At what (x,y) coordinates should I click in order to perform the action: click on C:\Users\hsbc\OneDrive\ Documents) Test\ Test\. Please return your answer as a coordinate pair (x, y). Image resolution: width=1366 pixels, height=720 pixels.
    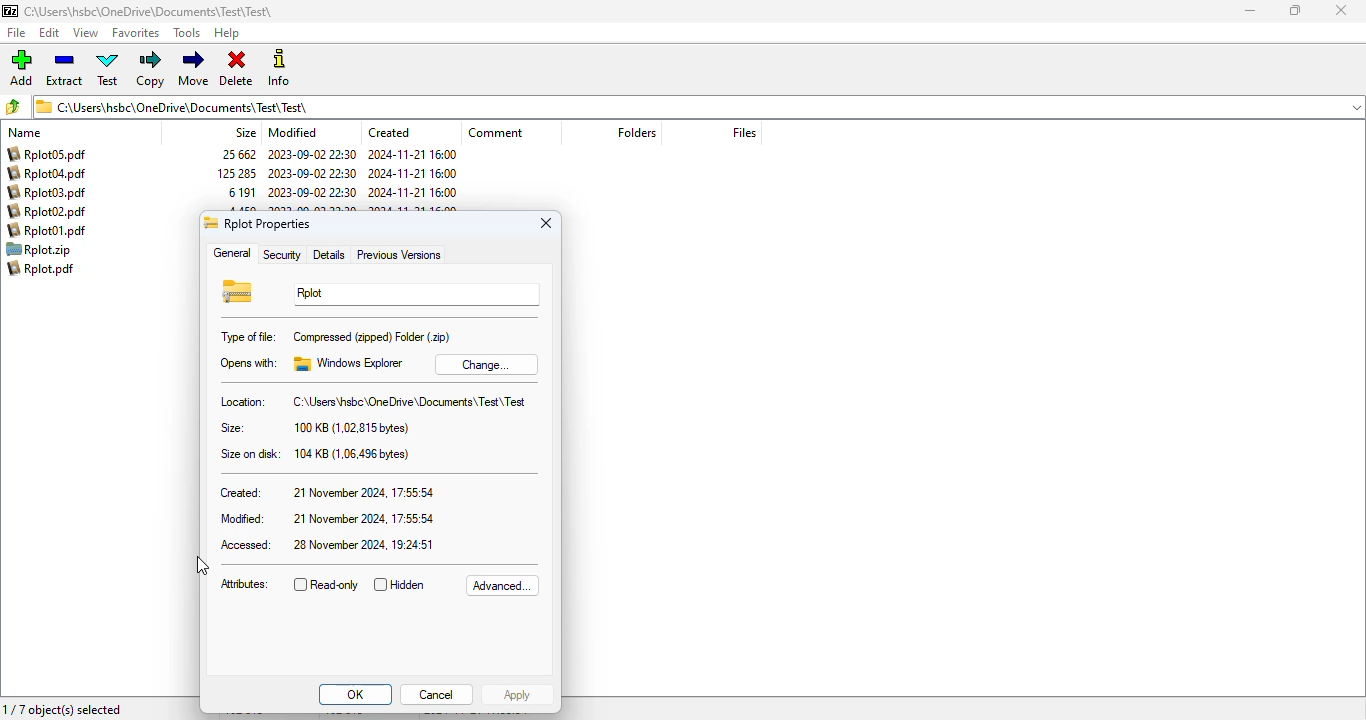
    Looking at the image, I should click on (699, 107).